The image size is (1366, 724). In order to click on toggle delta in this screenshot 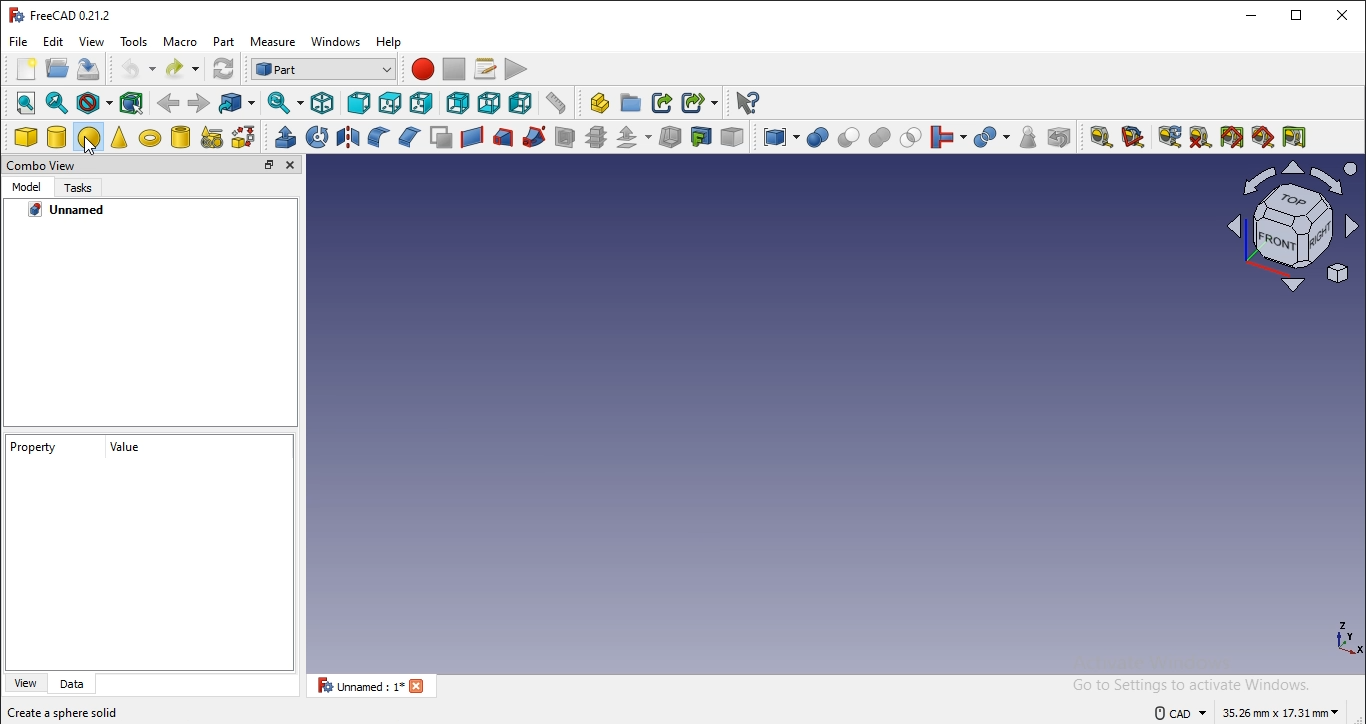, I will do `click(1293, 136)`.